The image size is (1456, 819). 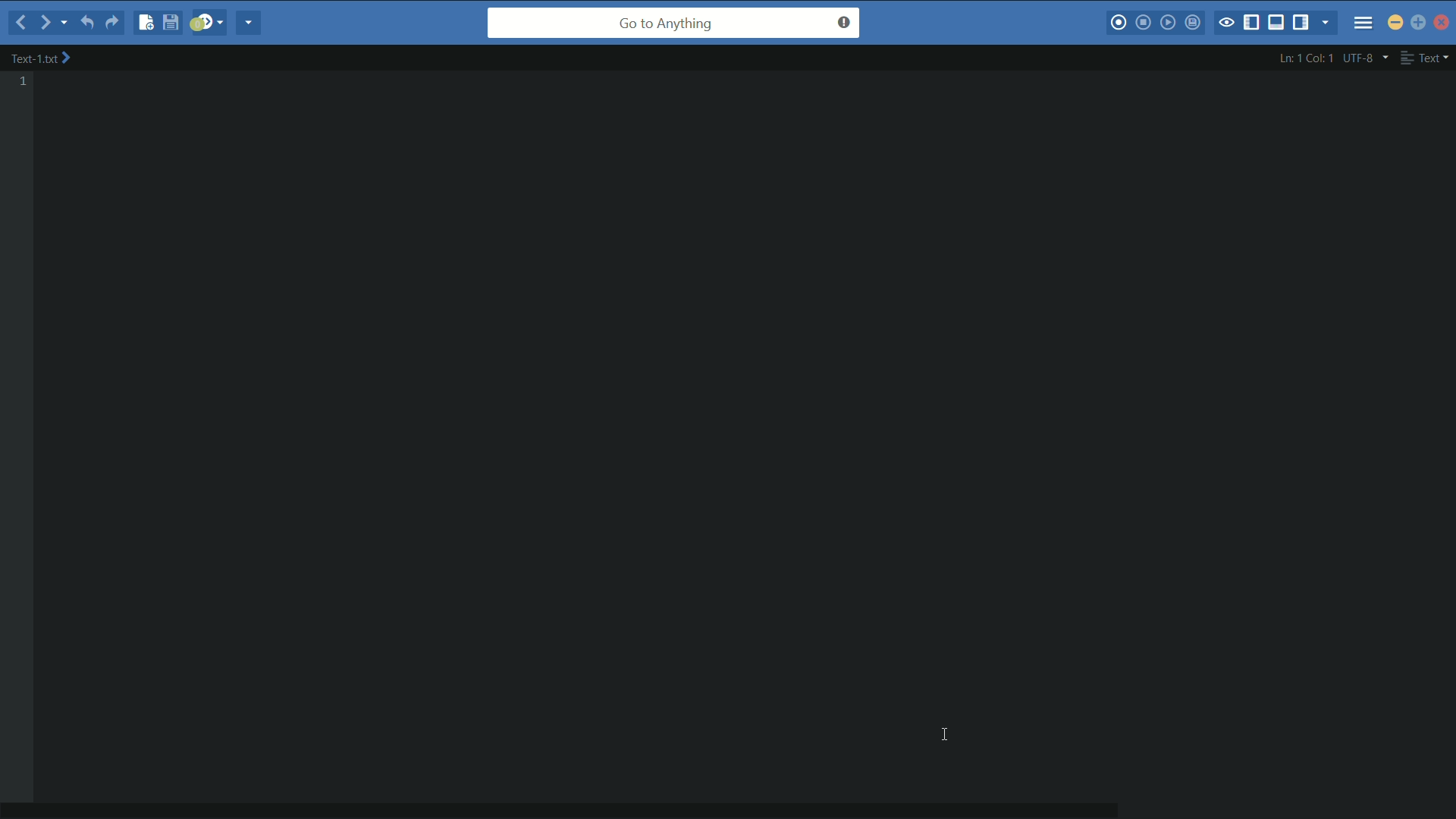 I want to click on save macros to toolbox, so click(x=1194, y=22).